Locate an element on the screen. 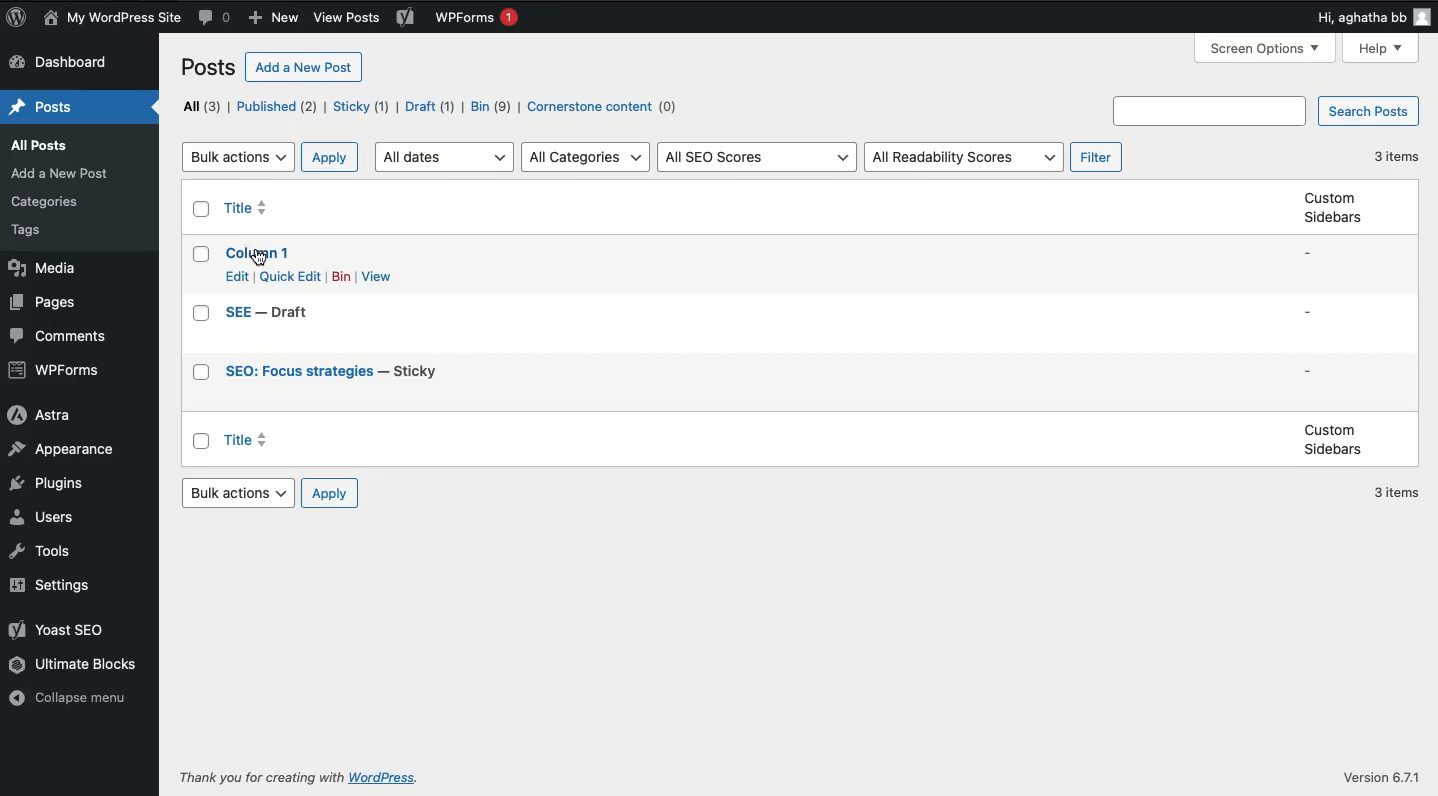 The height and width of the screenshot is (796, 1438). Astra is located at coordinates (40, 415).